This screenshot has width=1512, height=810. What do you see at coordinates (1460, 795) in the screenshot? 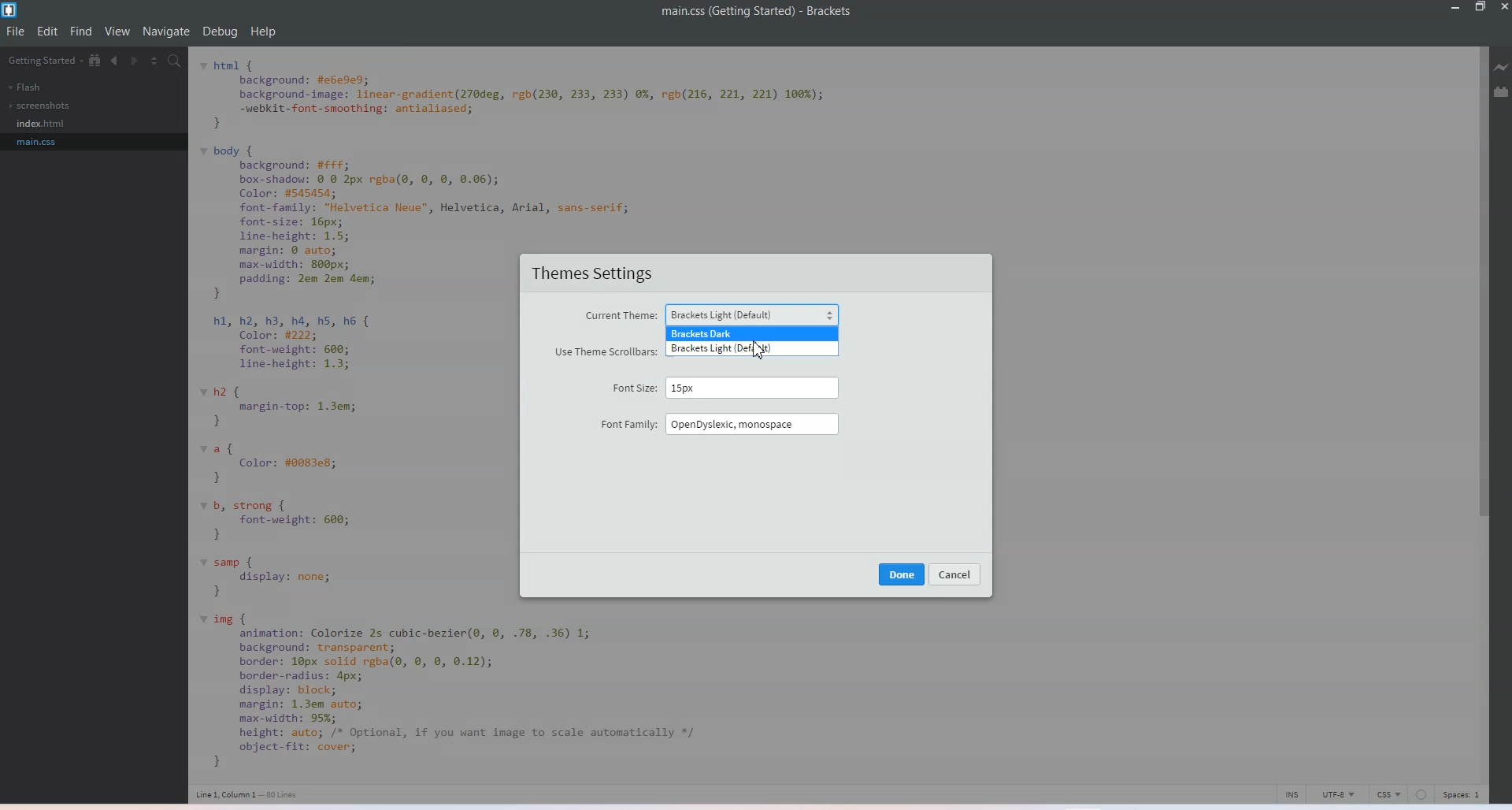
I see `Spaces 1` at bounding box center [1460, 795].